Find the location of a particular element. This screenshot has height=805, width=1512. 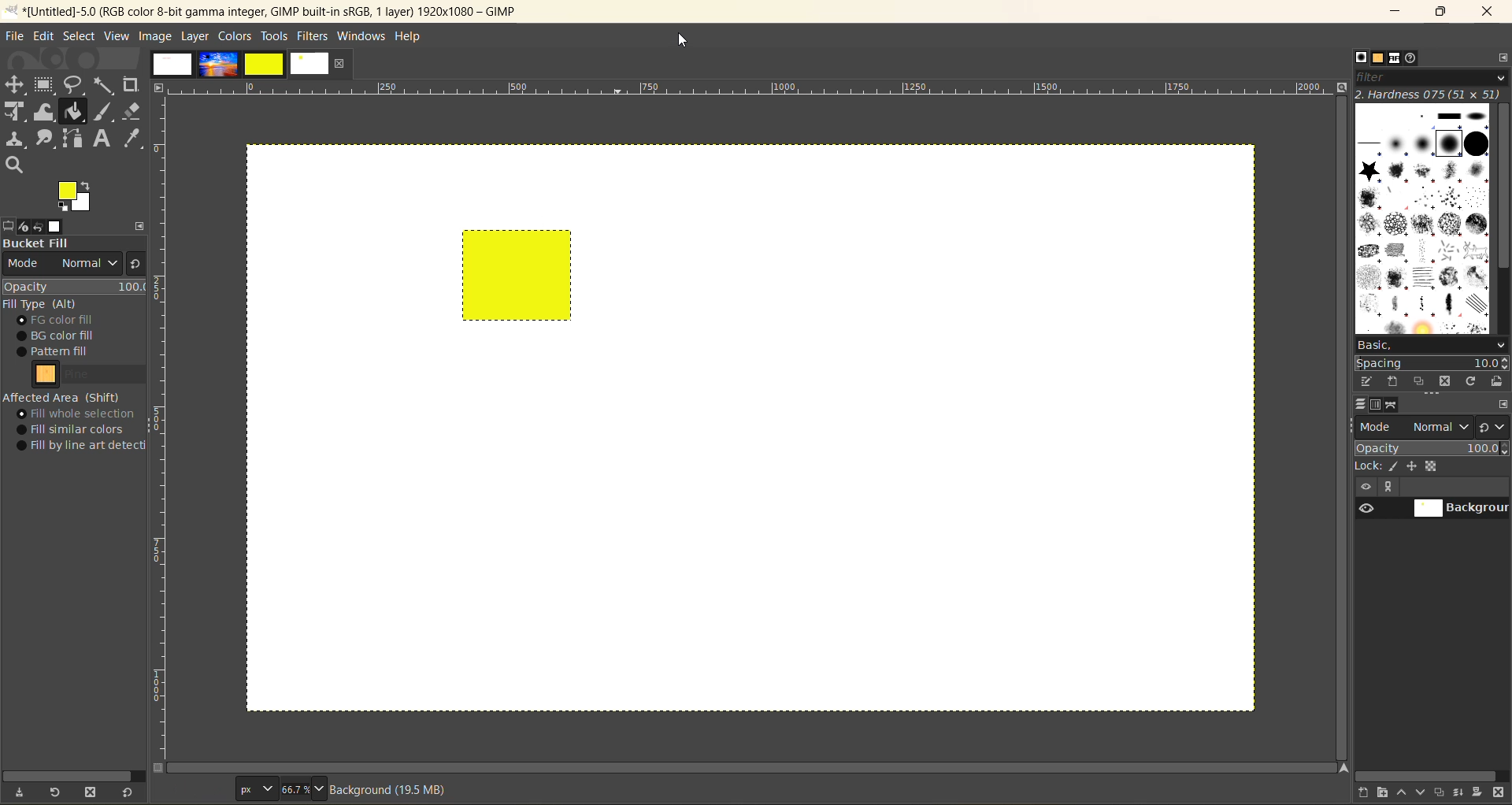

spacing is located at coordinates (1433, 360).